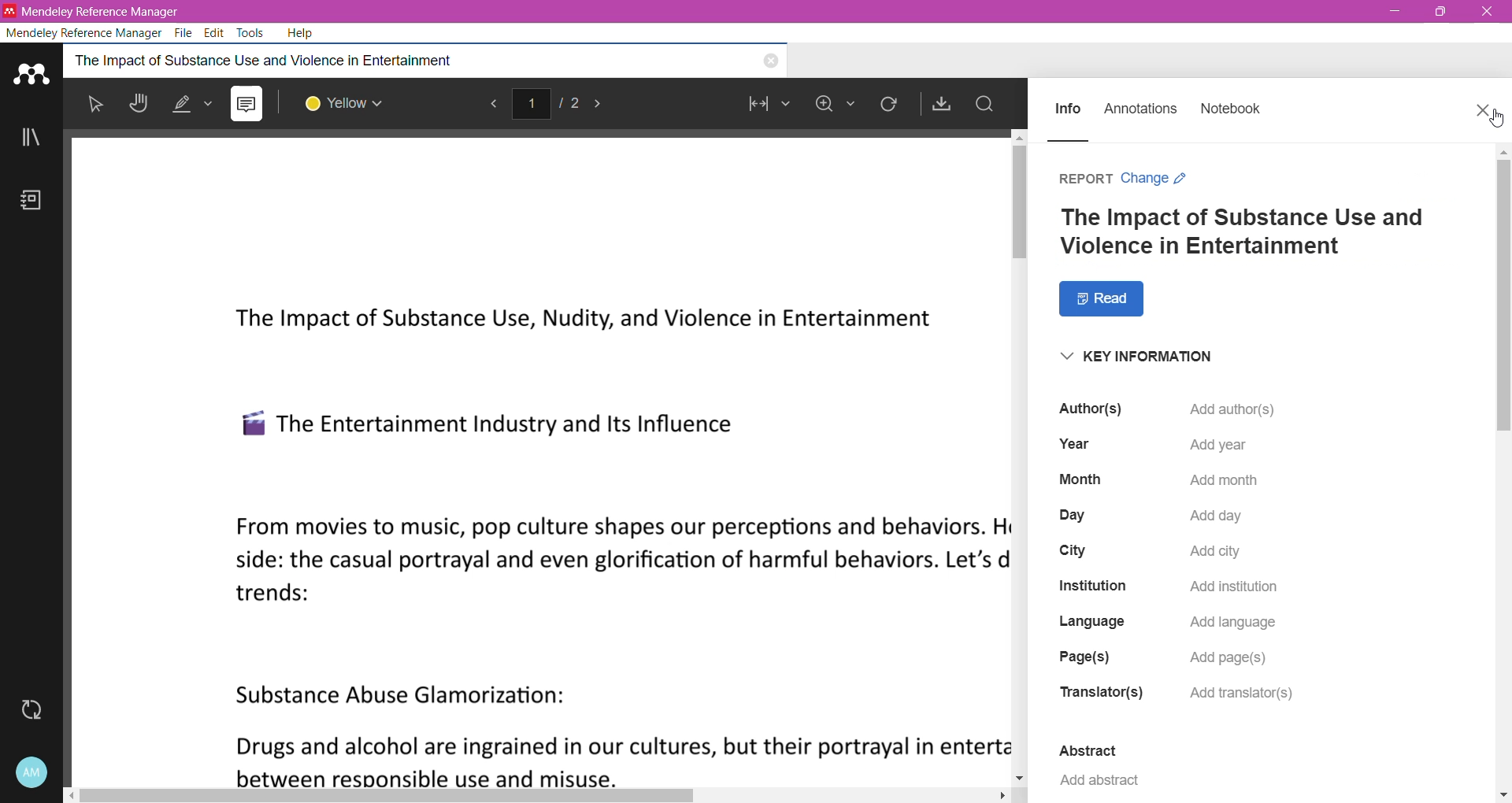 This screenshot has width=1512, height=803. Describe the element at coordinates (603, 105) in the screenshot. I see `Go to next page` at that location.